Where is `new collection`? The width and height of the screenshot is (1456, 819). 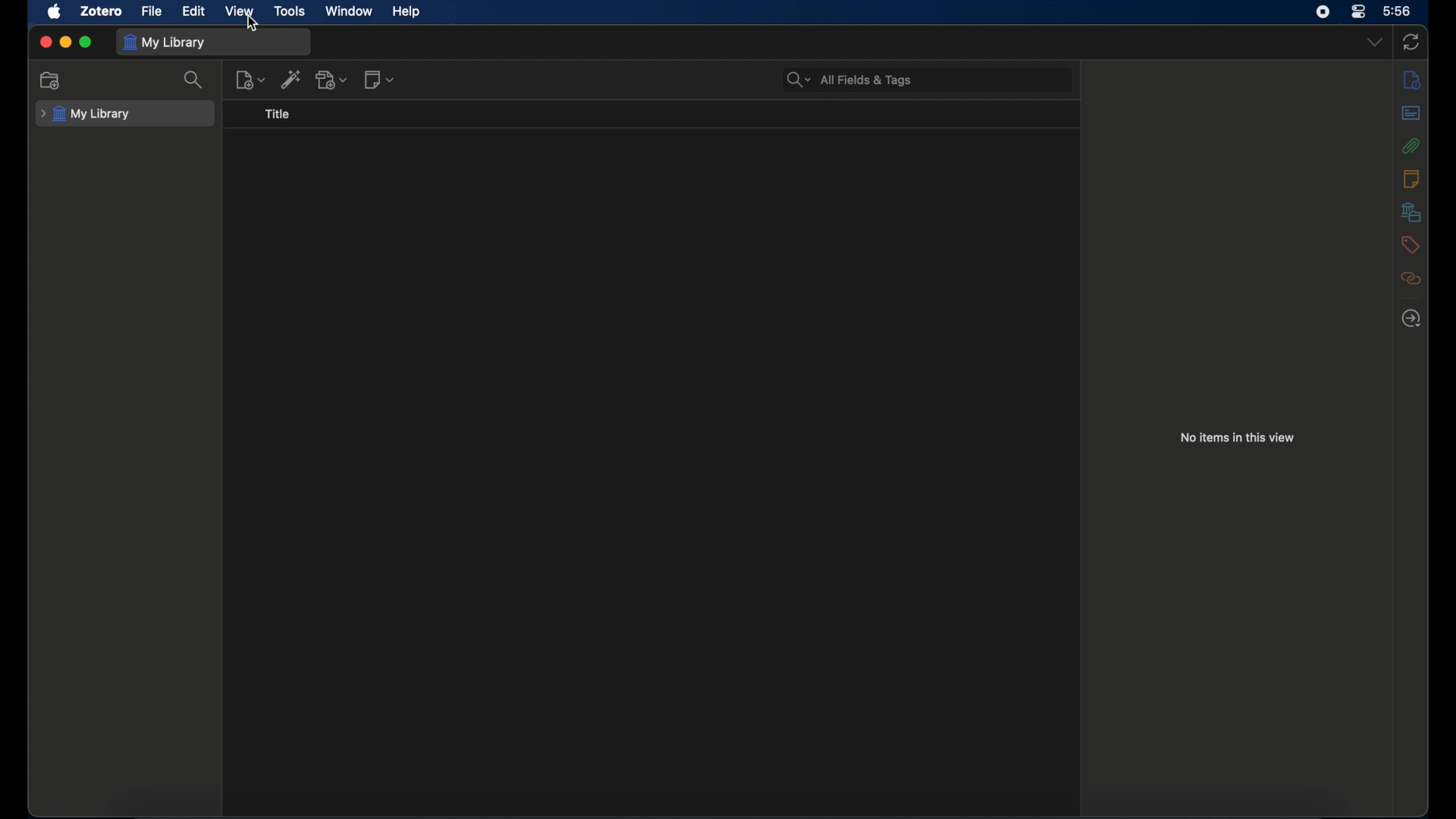 new collection is located at coordinates (51, 80).